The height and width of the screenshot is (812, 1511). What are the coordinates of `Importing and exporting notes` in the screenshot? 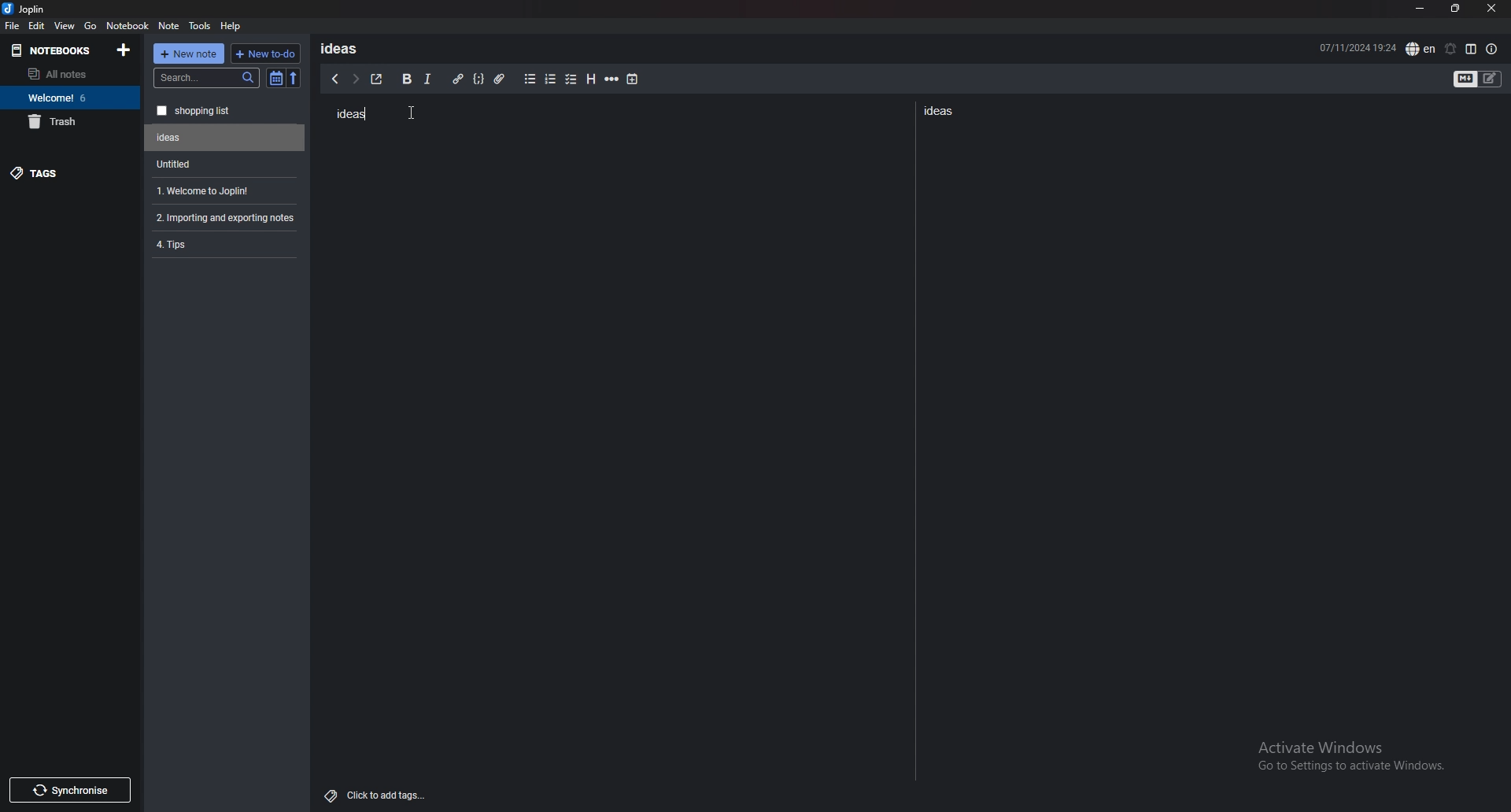 It's located at (227, 218).